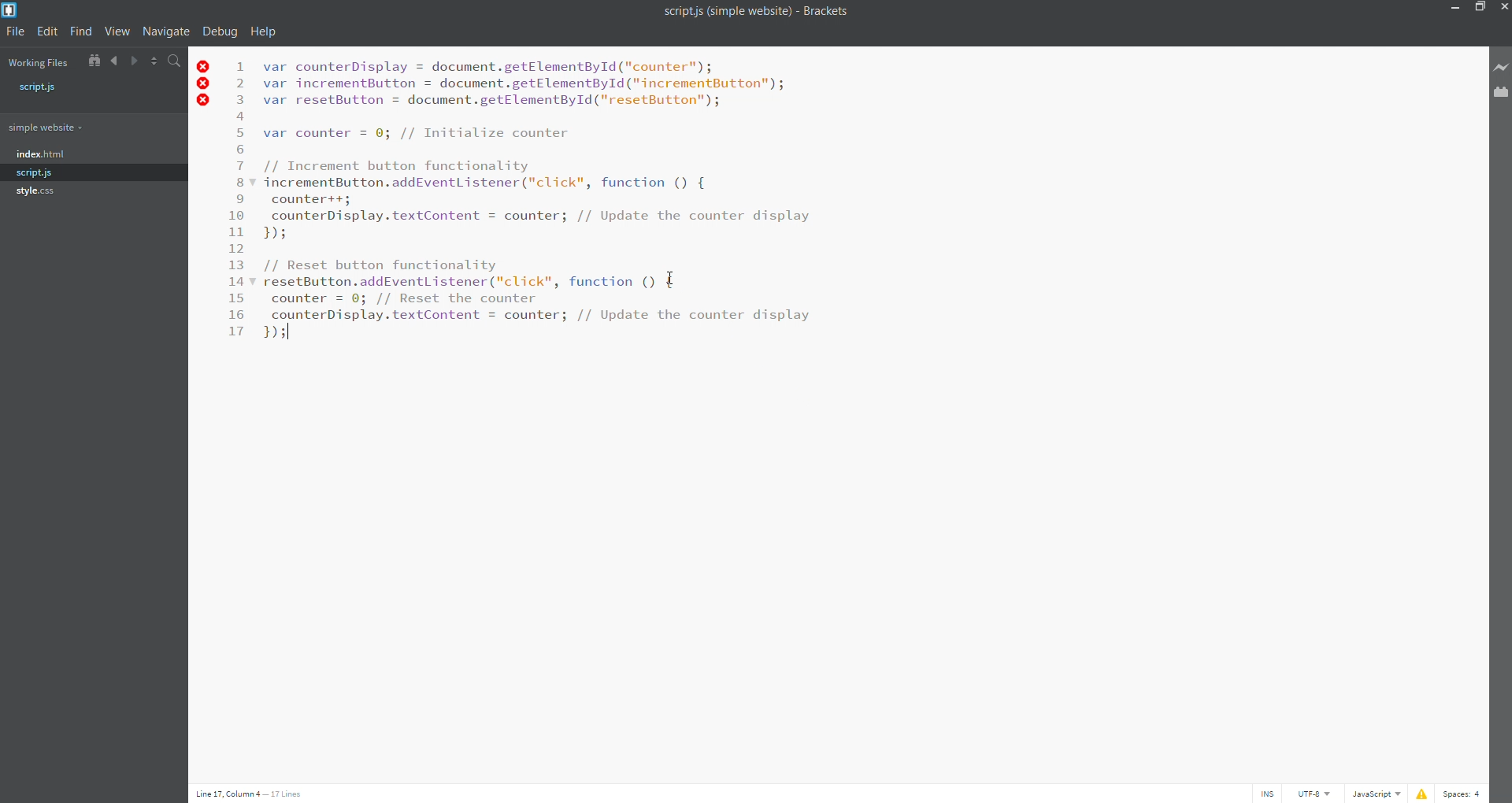 This screenshot has width=1512, height=803. What do you see at coordinates (237, 204) in the screenshot?
I see `line number` at bounding box center [237, 204].